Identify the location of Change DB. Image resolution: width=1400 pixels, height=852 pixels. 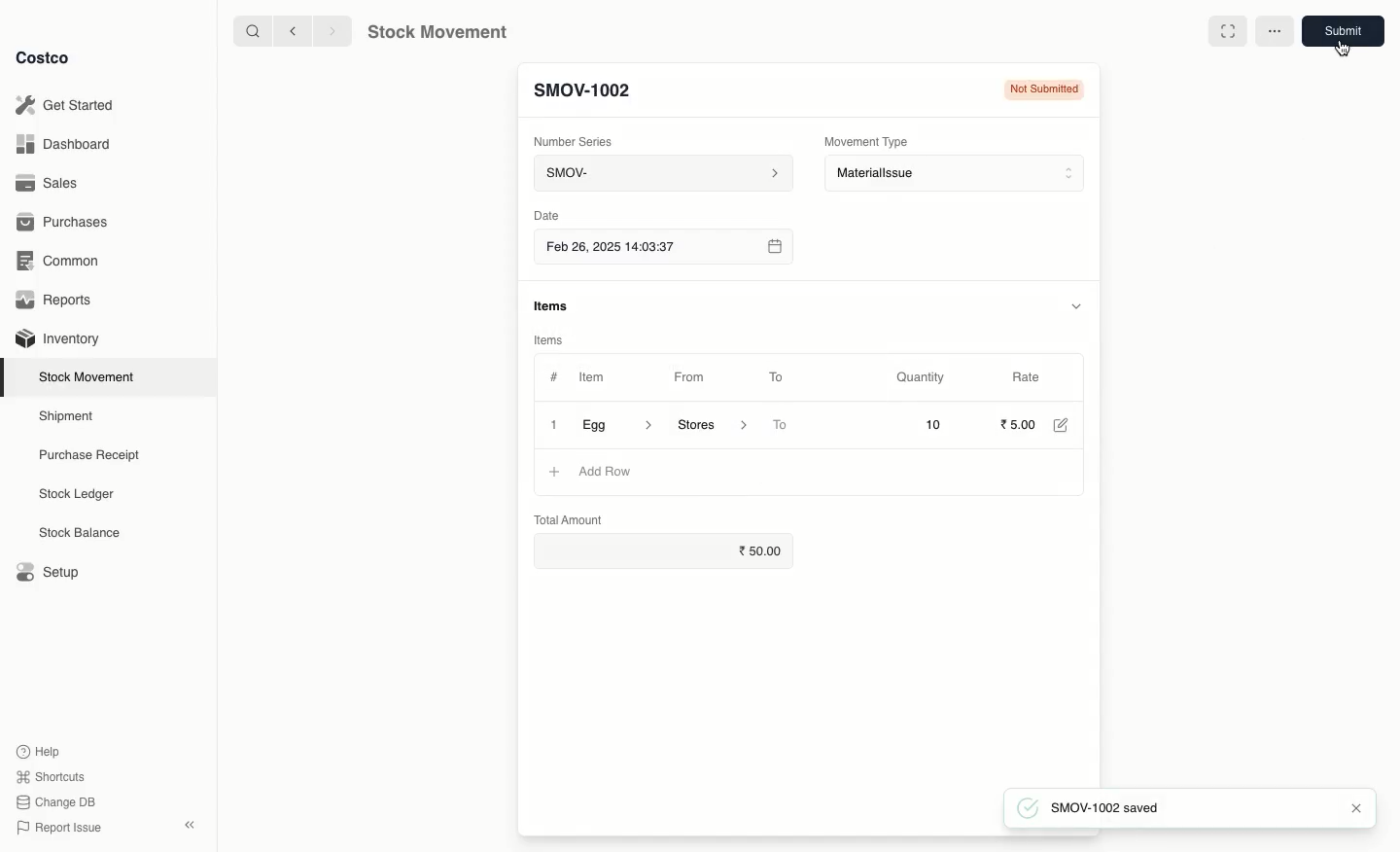
(56, 802).